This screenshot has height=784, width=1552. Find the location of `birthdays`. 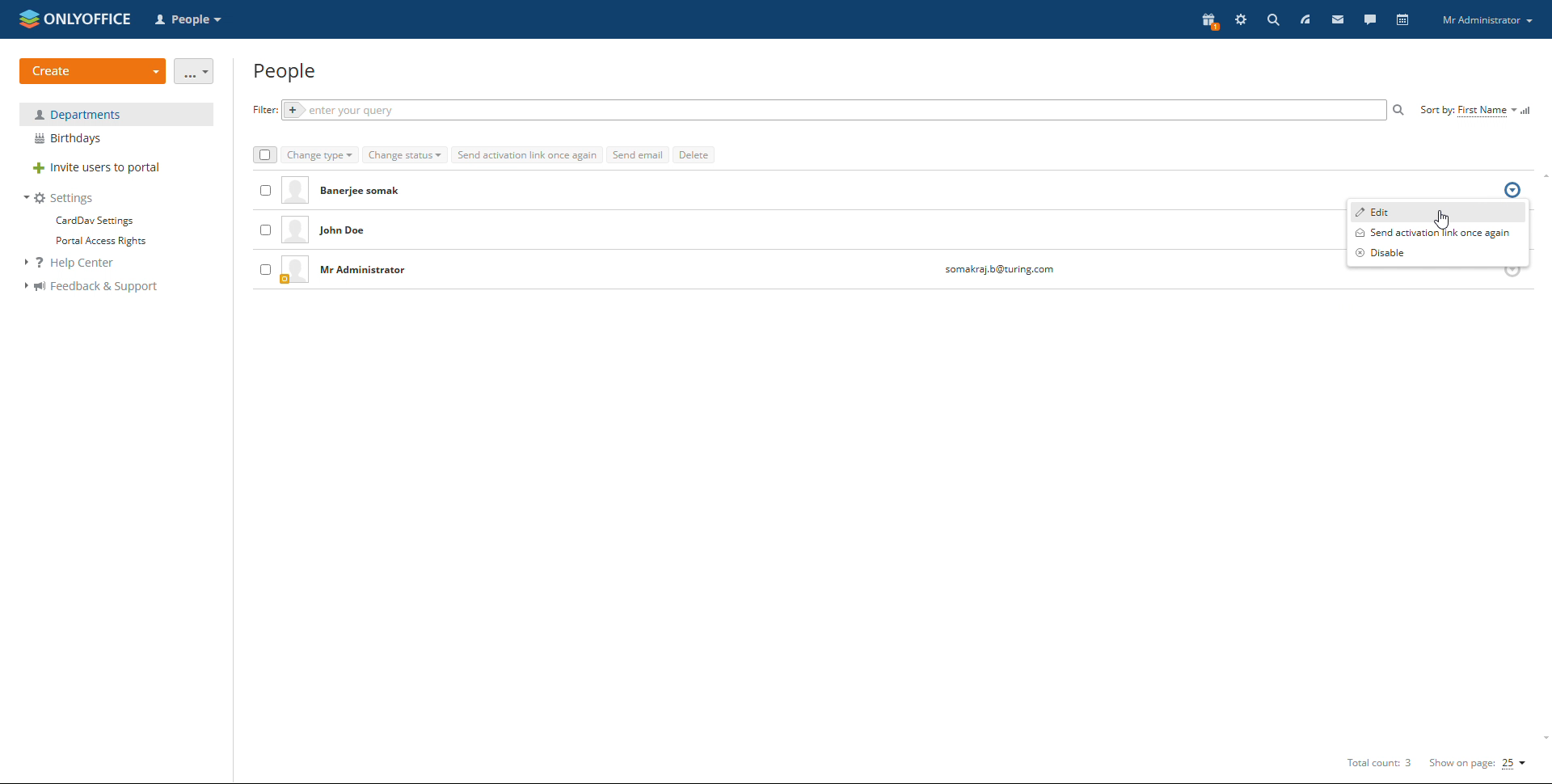

birthdays is located at coordinates (116, 139).